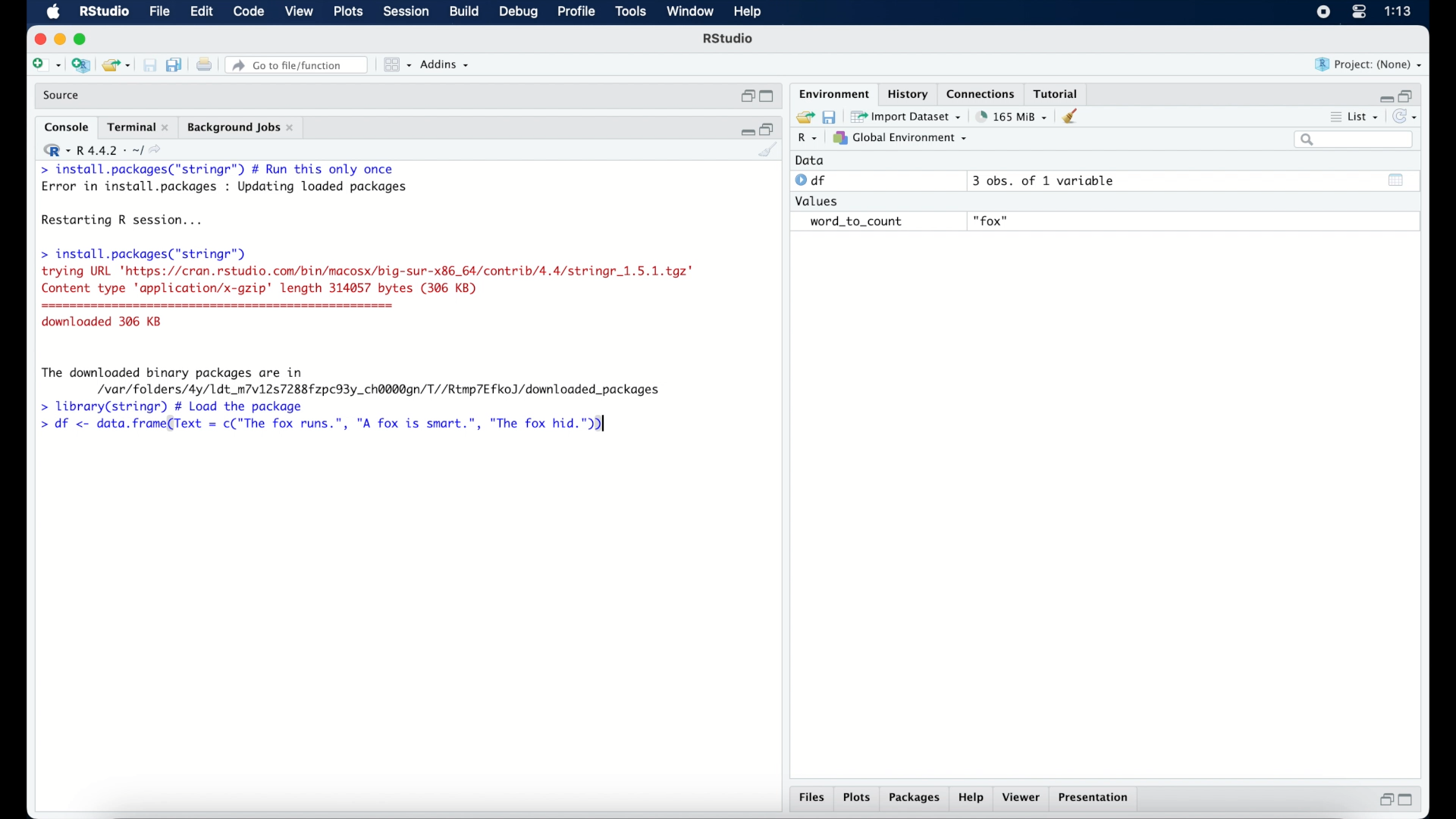  I want to click on Restarting R session..., so click(126, 221).